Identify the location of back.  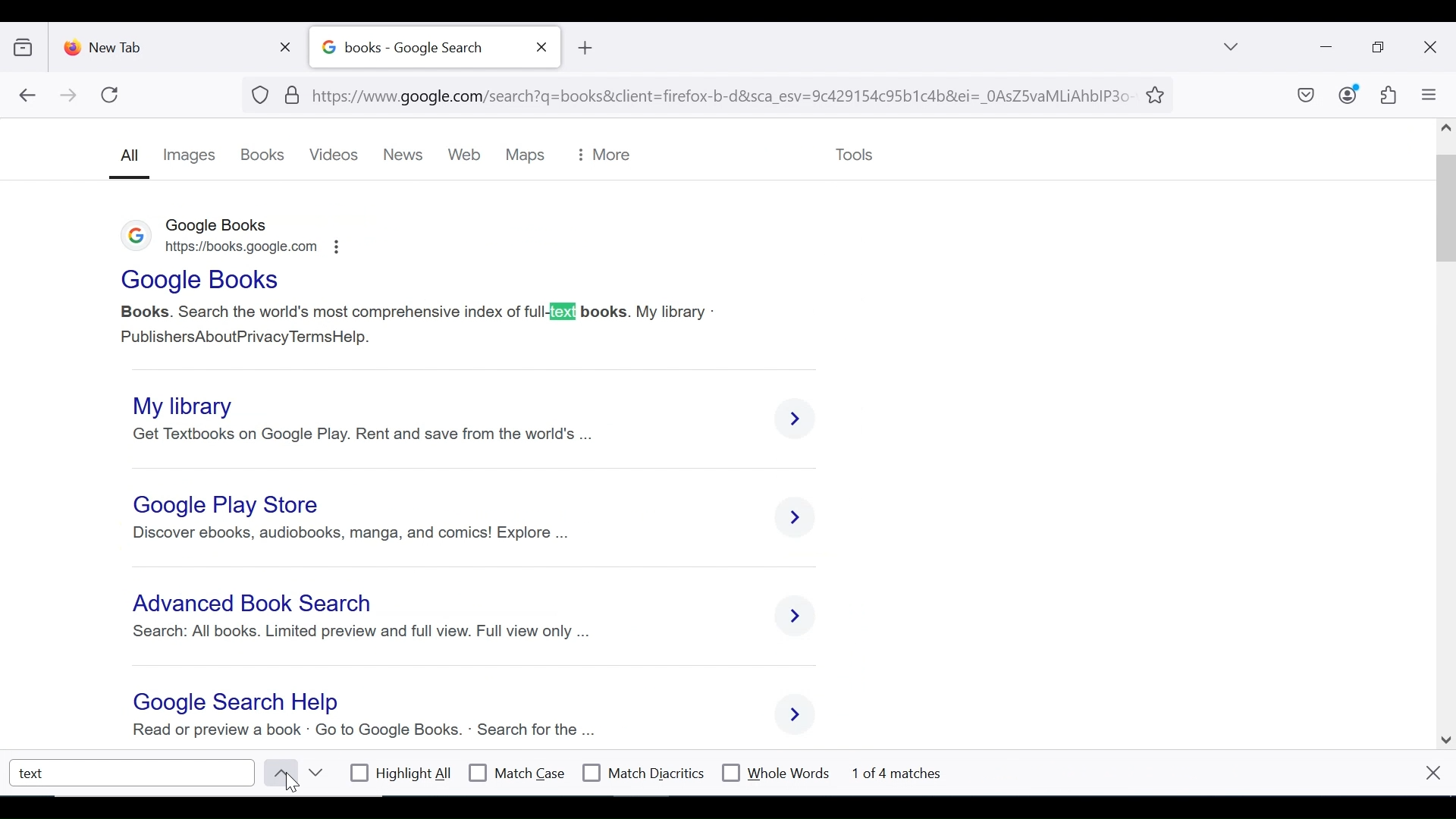
(27, 96).